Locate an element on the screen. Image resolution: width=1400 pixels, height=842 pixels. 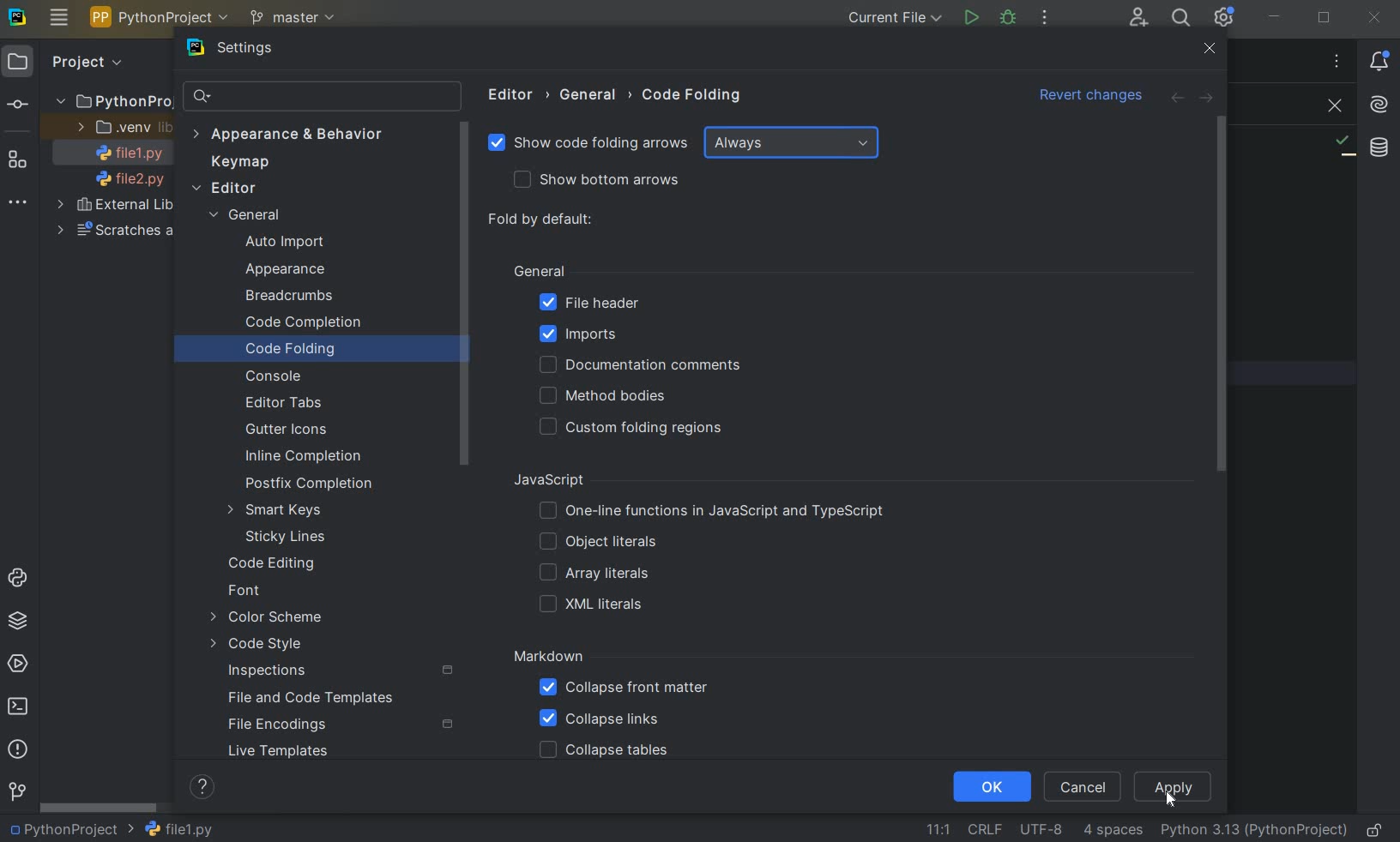
FILE AND CODE TEMPLATES is located at coordinates (315, 697).